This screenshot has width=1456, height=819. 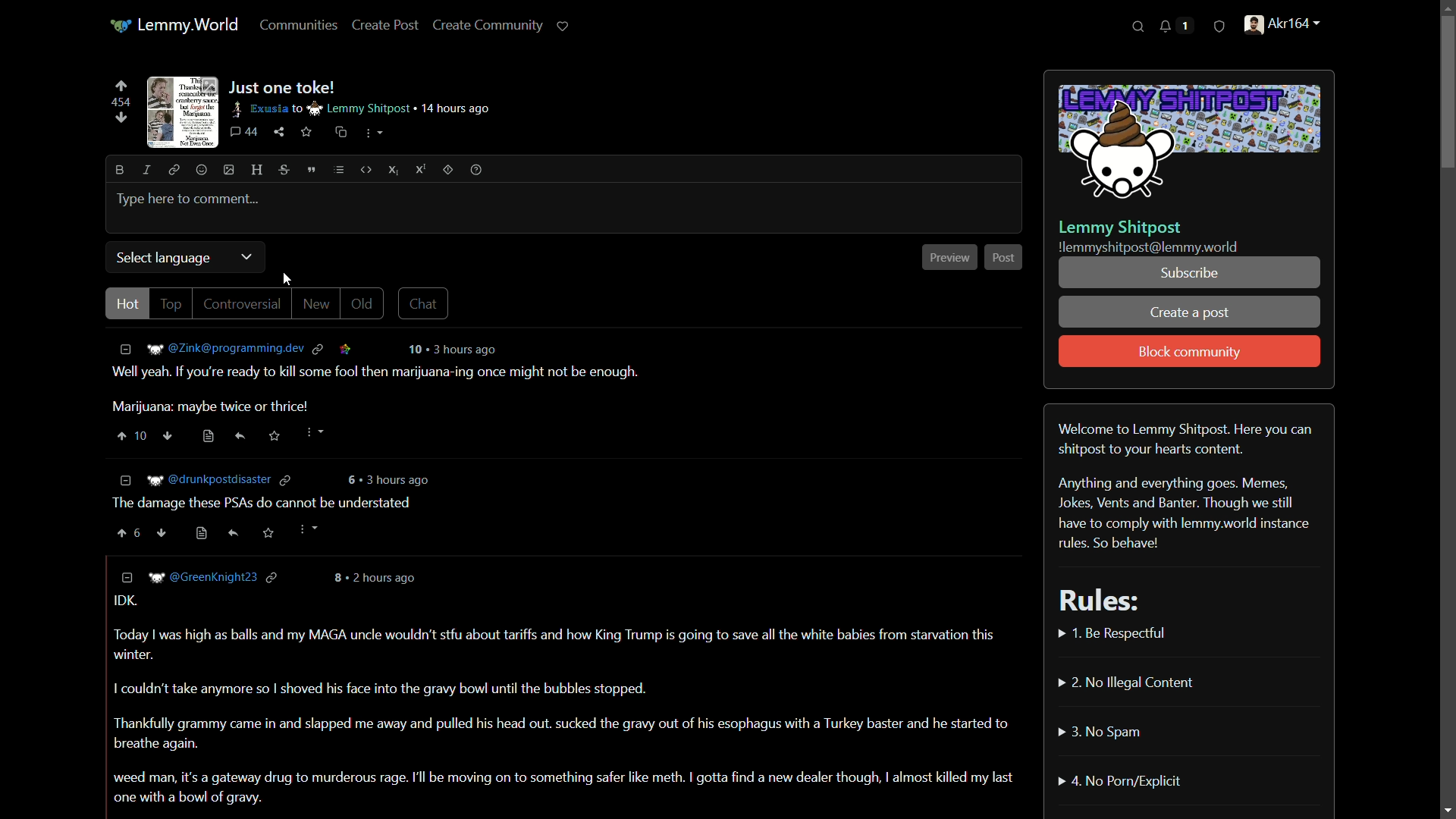 I want to click on help, so click(x=477, y=169).